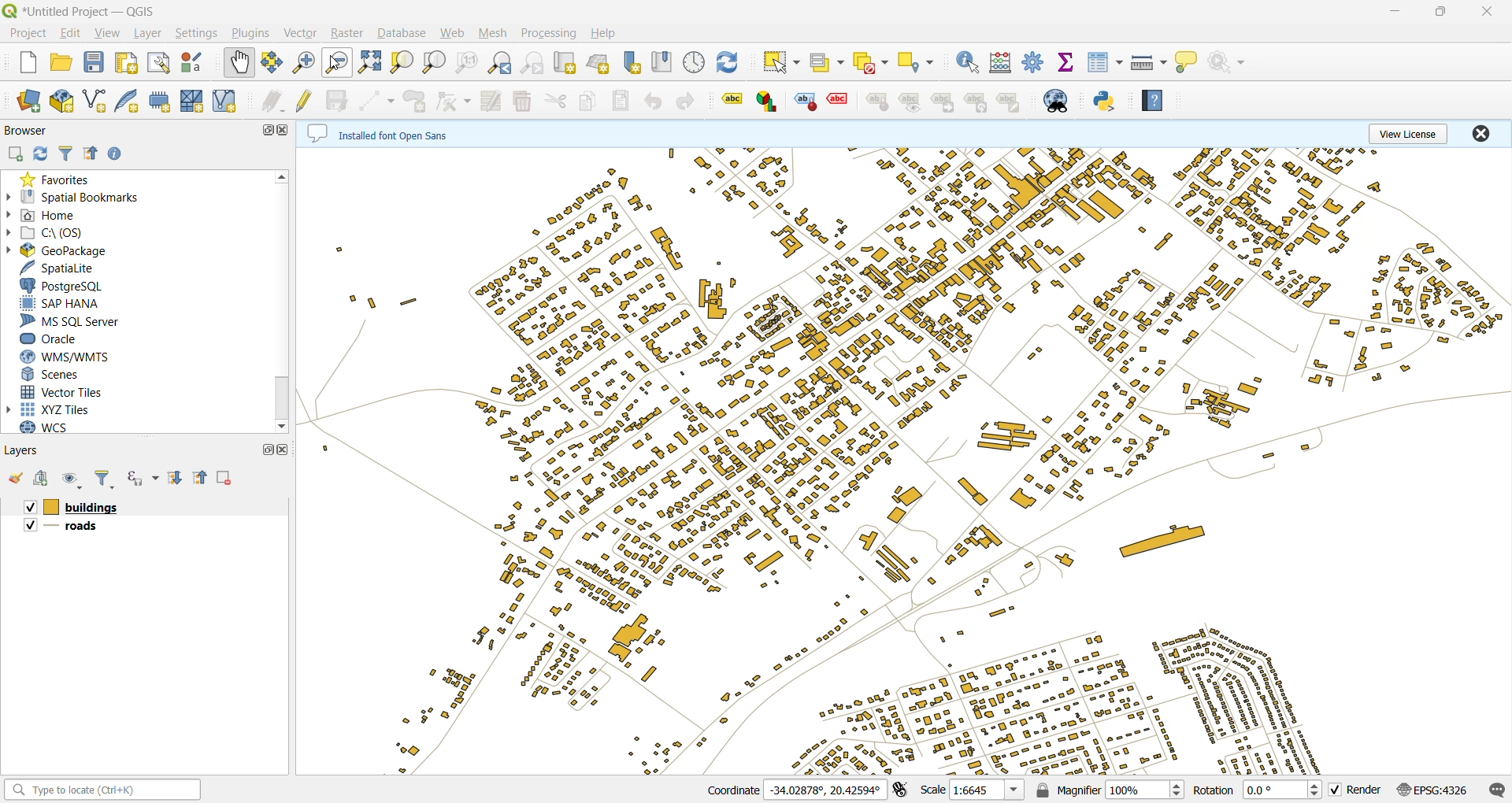 This screenshot has height=803, width=1512. I want to click on layers, so click(904, 460).